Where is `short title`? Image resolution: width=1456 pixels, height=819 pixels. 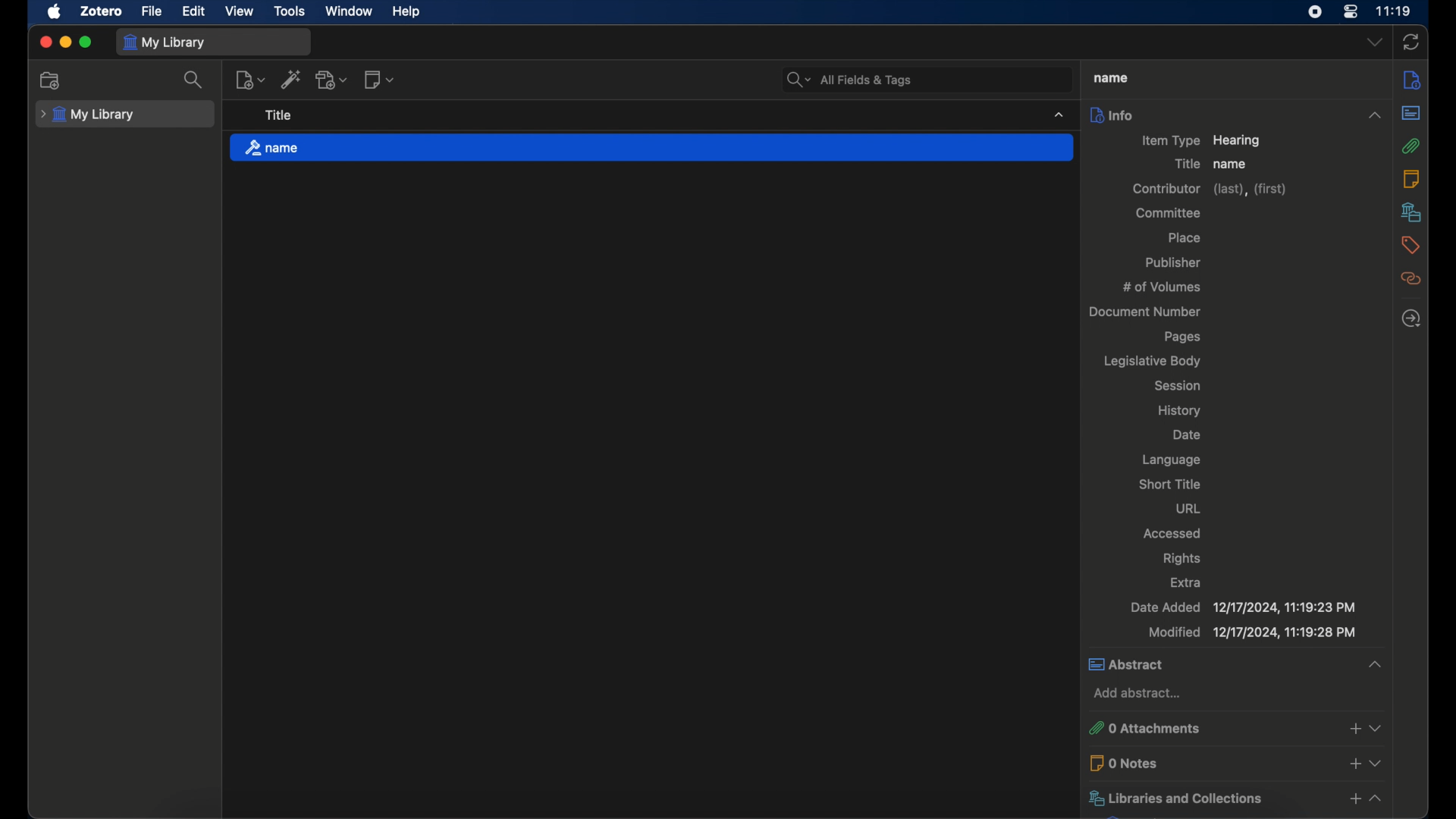
short title is located at coordinates (1170, 484).